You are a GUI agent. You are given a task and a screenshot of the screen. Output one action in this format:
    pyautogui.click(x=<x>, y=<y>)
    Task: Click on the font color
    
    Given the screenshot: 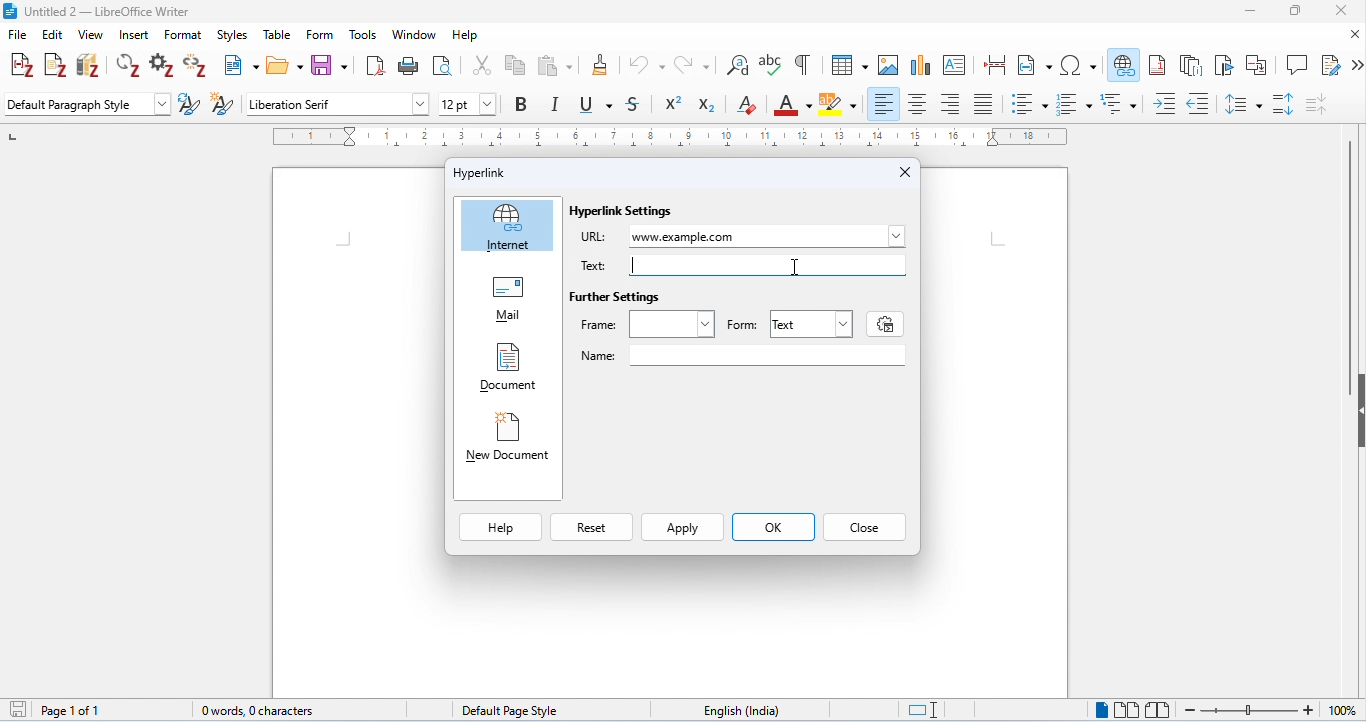 What is the action you would take?
    pyautogui.click(x=793, y=106)
    